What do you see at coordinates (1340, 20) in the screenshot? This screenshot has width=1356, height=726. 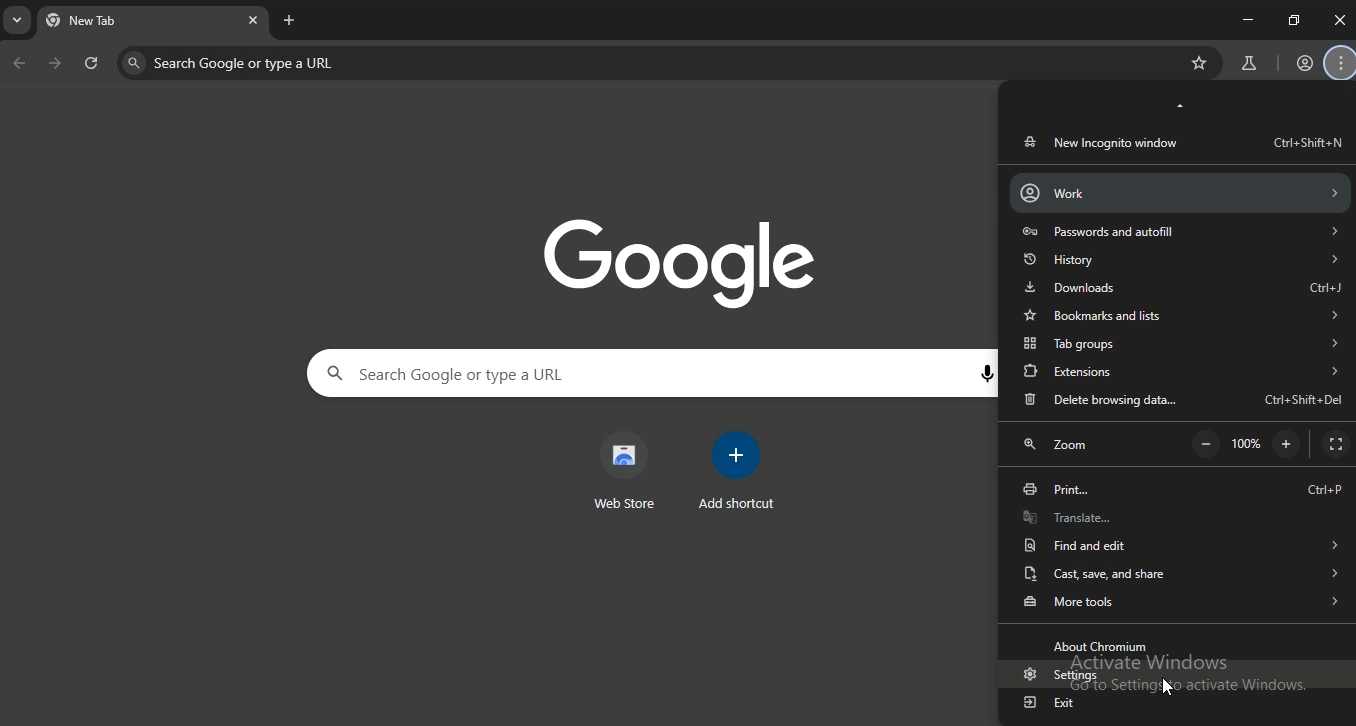 I see `close` at bounding box center [1340, 20].